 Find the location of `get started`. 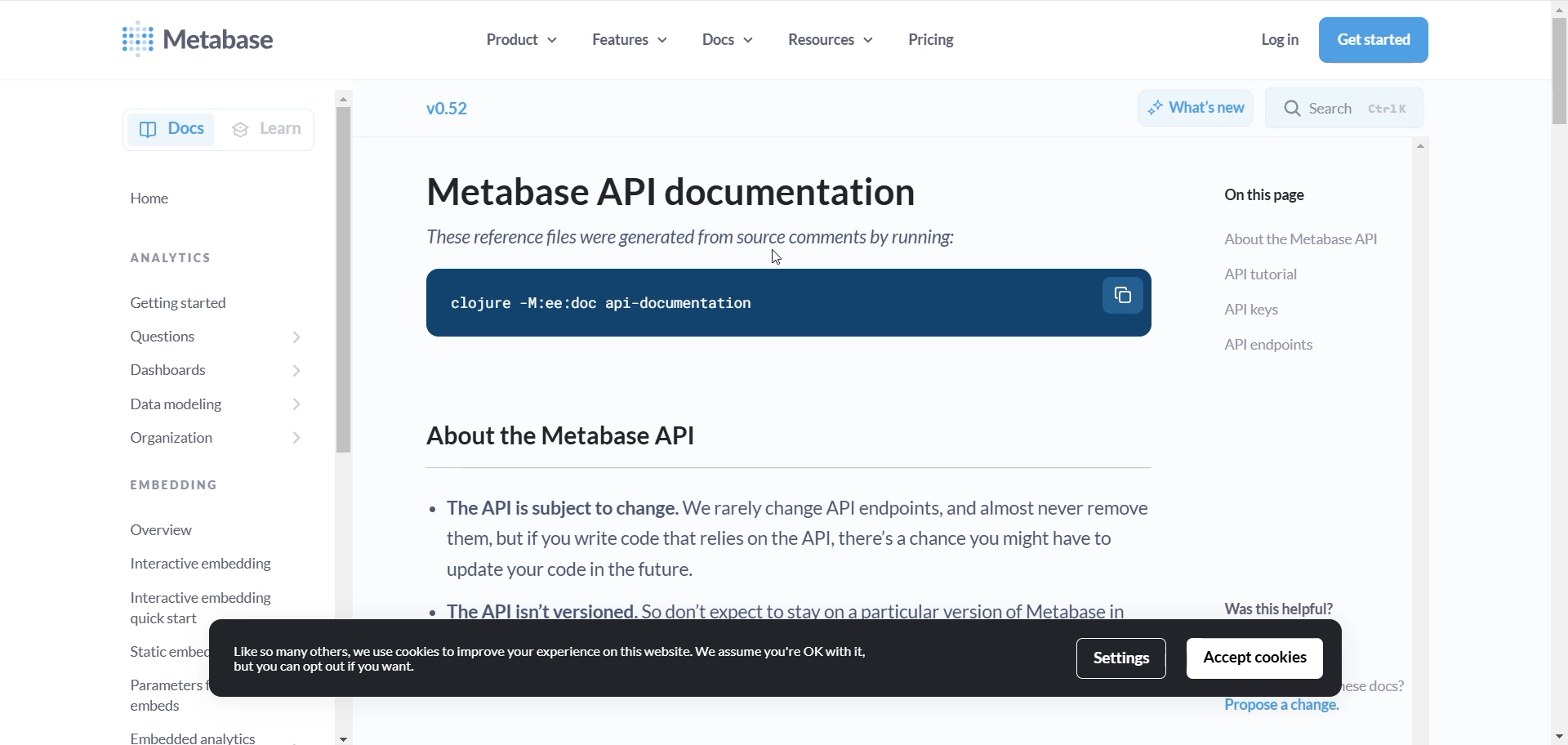

get started is located at coordinates (1374, 39).